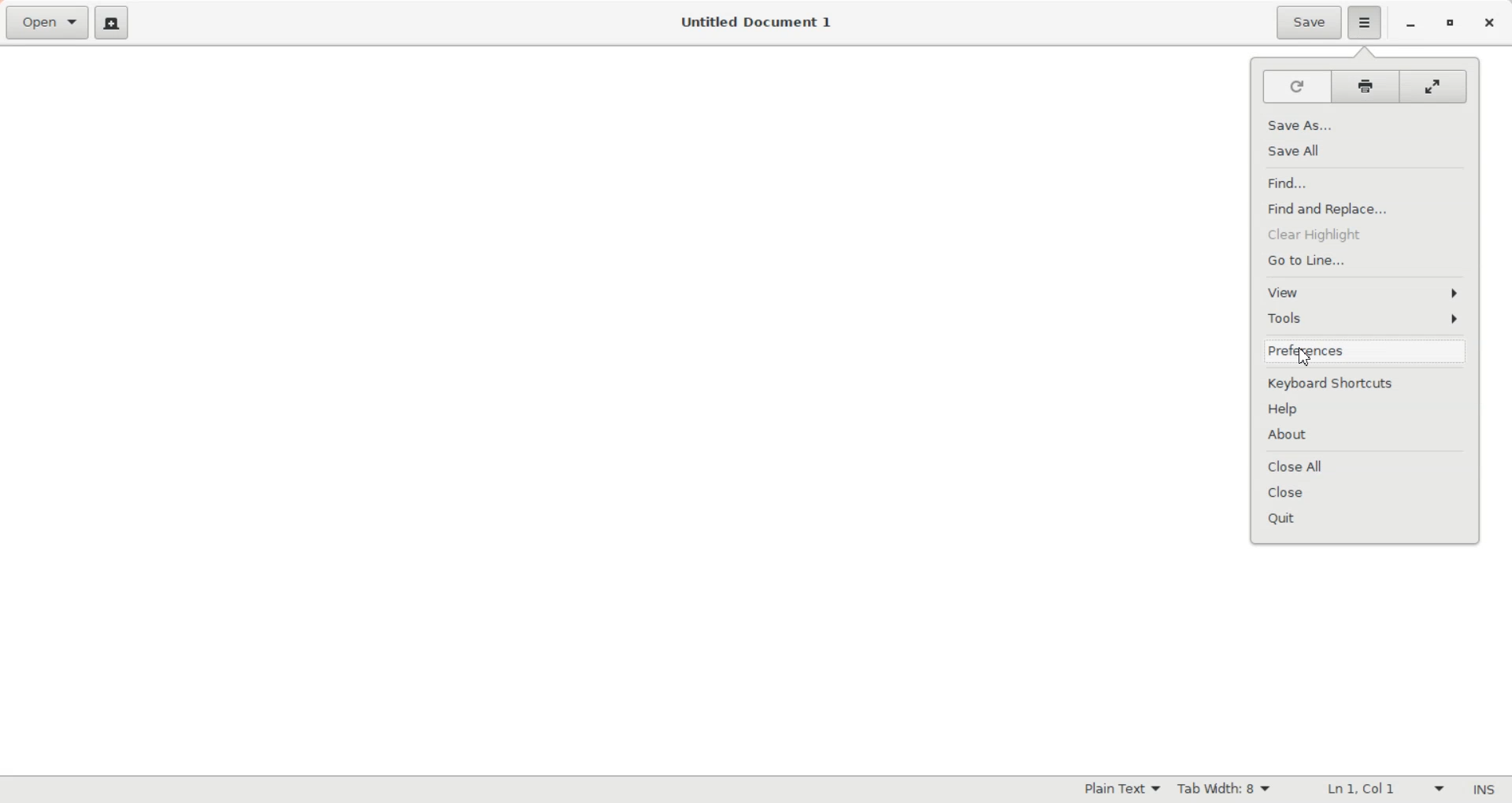 The width and height of the screenshot is (1512, 803). Describe the element at coordinates (1435, 85) in the screenshot. I see `Full screen` at that location.